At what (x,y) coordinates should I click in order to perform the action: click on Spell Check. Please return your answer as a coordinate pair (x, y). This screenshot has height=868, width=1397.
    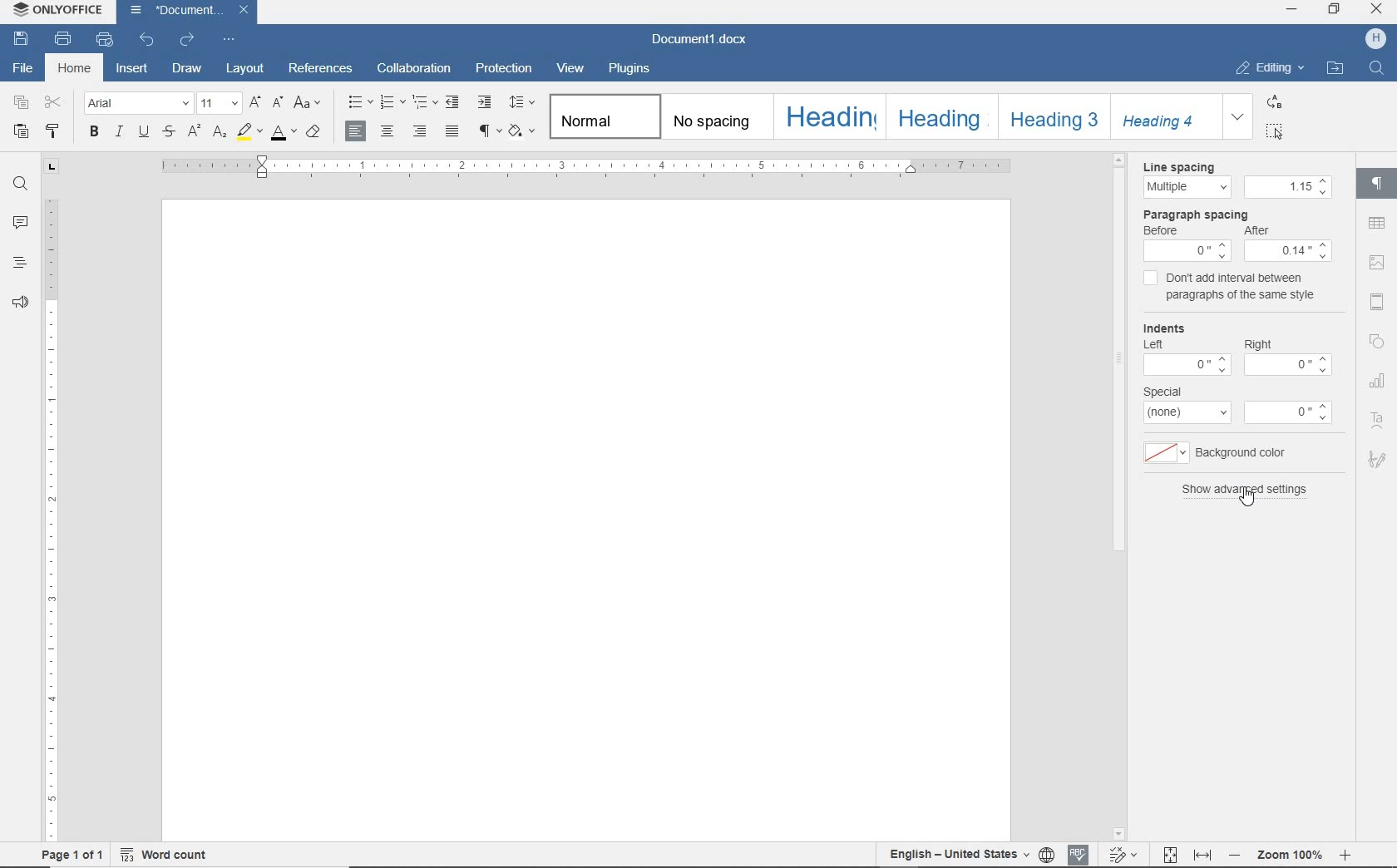
    Looking at the image, I should click on (1080, 853).